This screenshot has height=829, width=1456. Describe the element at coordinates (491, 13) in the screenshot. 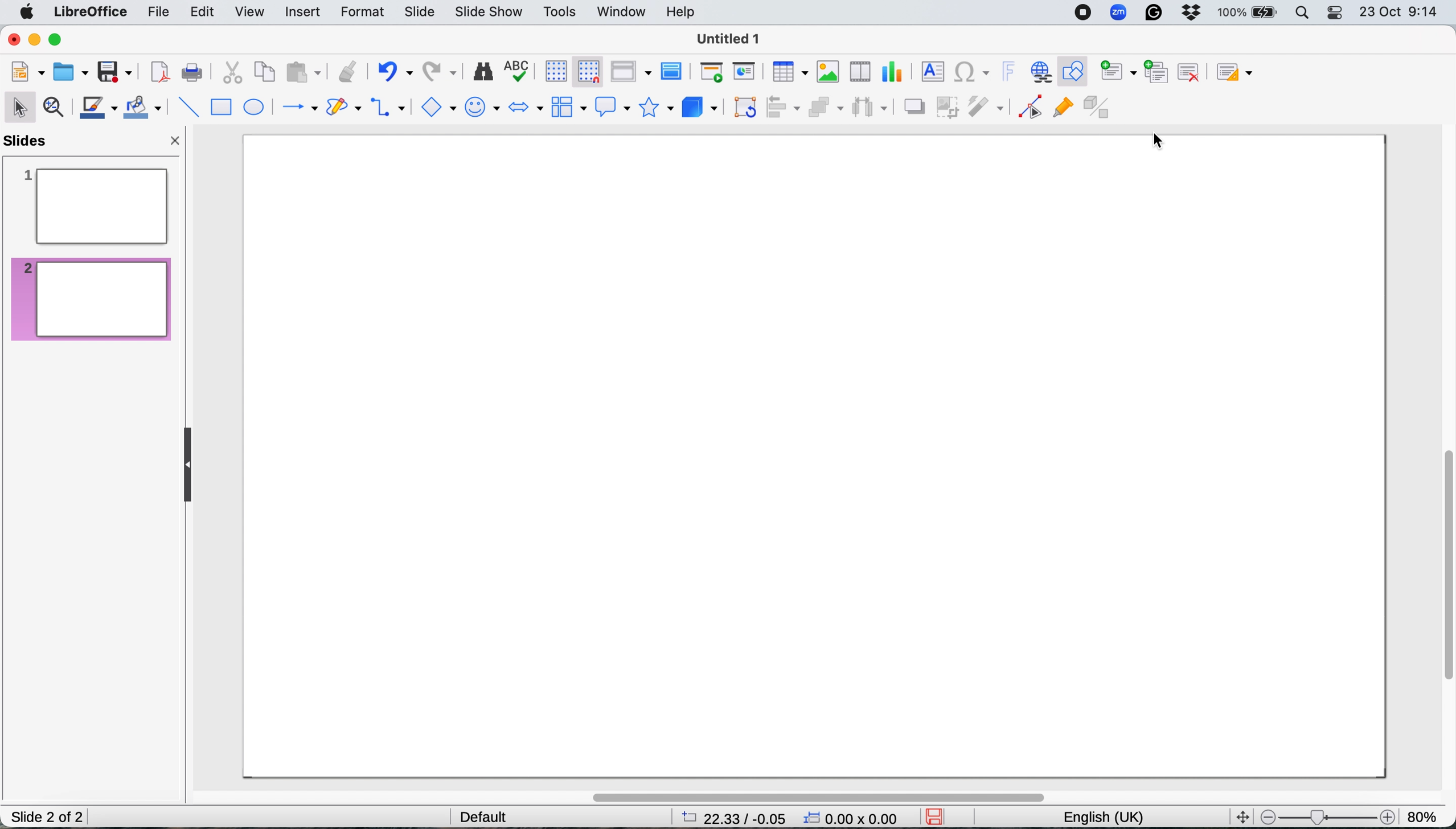

I see `slide show` at that location.